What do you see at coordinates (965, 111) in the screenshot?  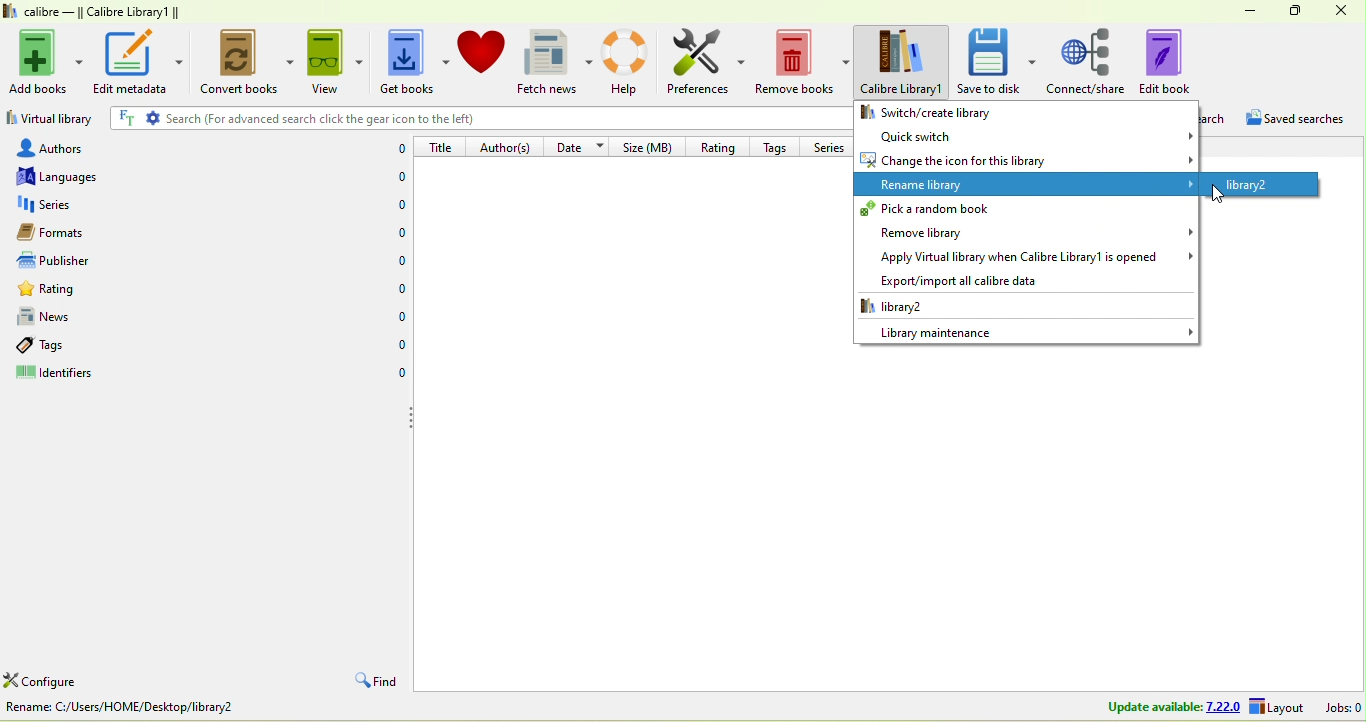 I see `switch/ create library` at bounding box center [965, 111].